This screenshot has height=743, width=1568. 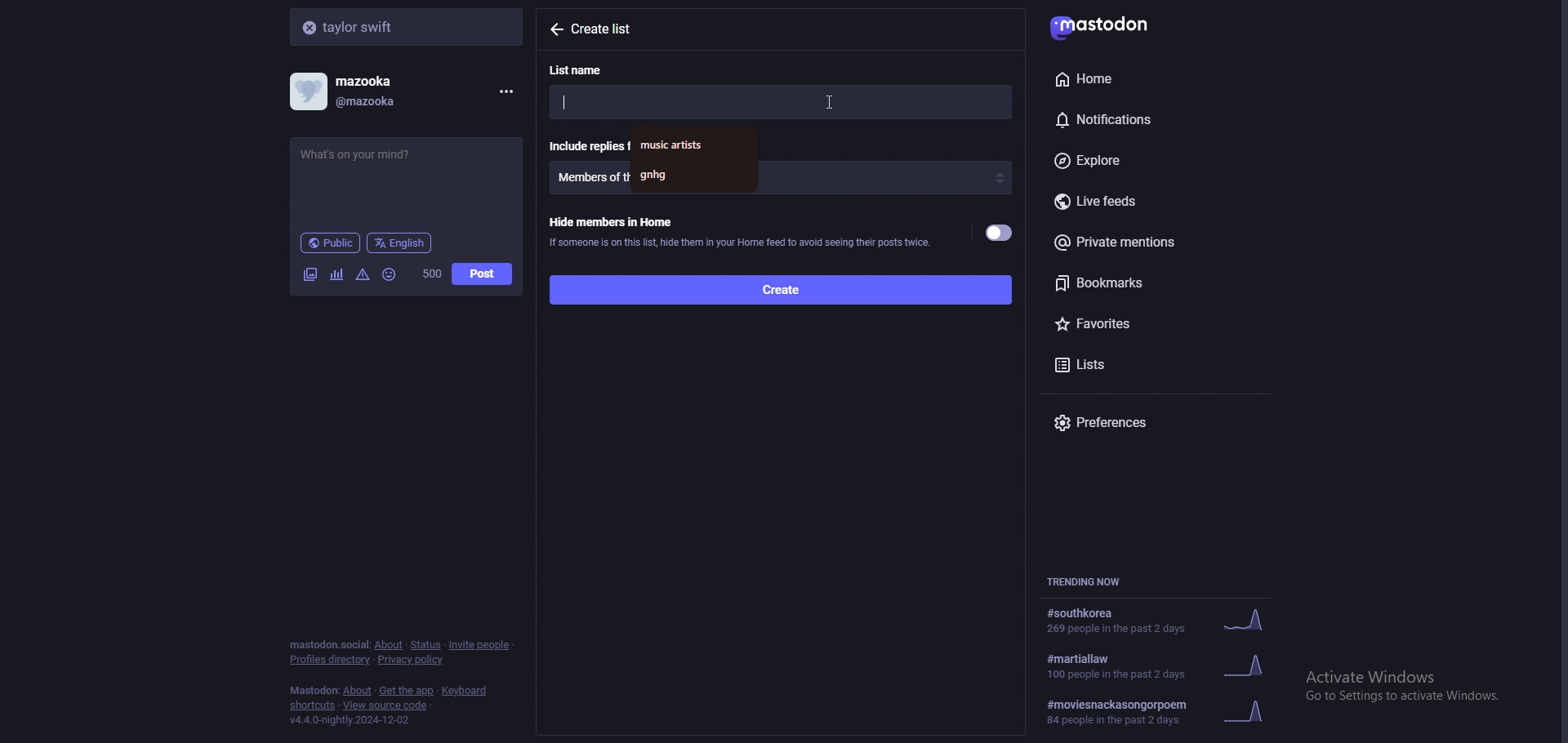 I want to click on private mentions, so click(x=1153, y=242).